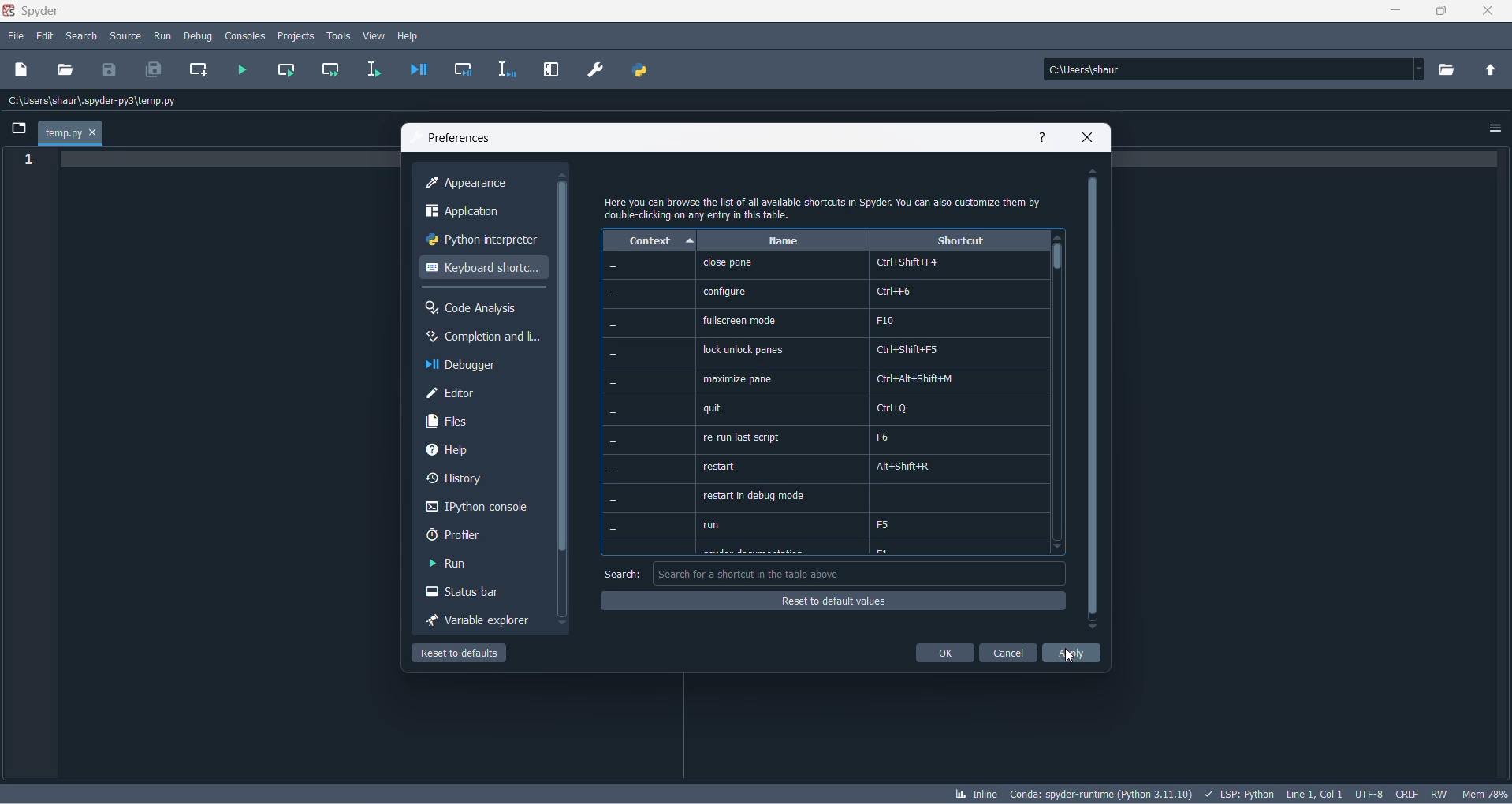 This screenshot has width=1512, height=804. Describe the element at coordinates (481, 242) in the screenshot. I see `python interpreter` at that location.